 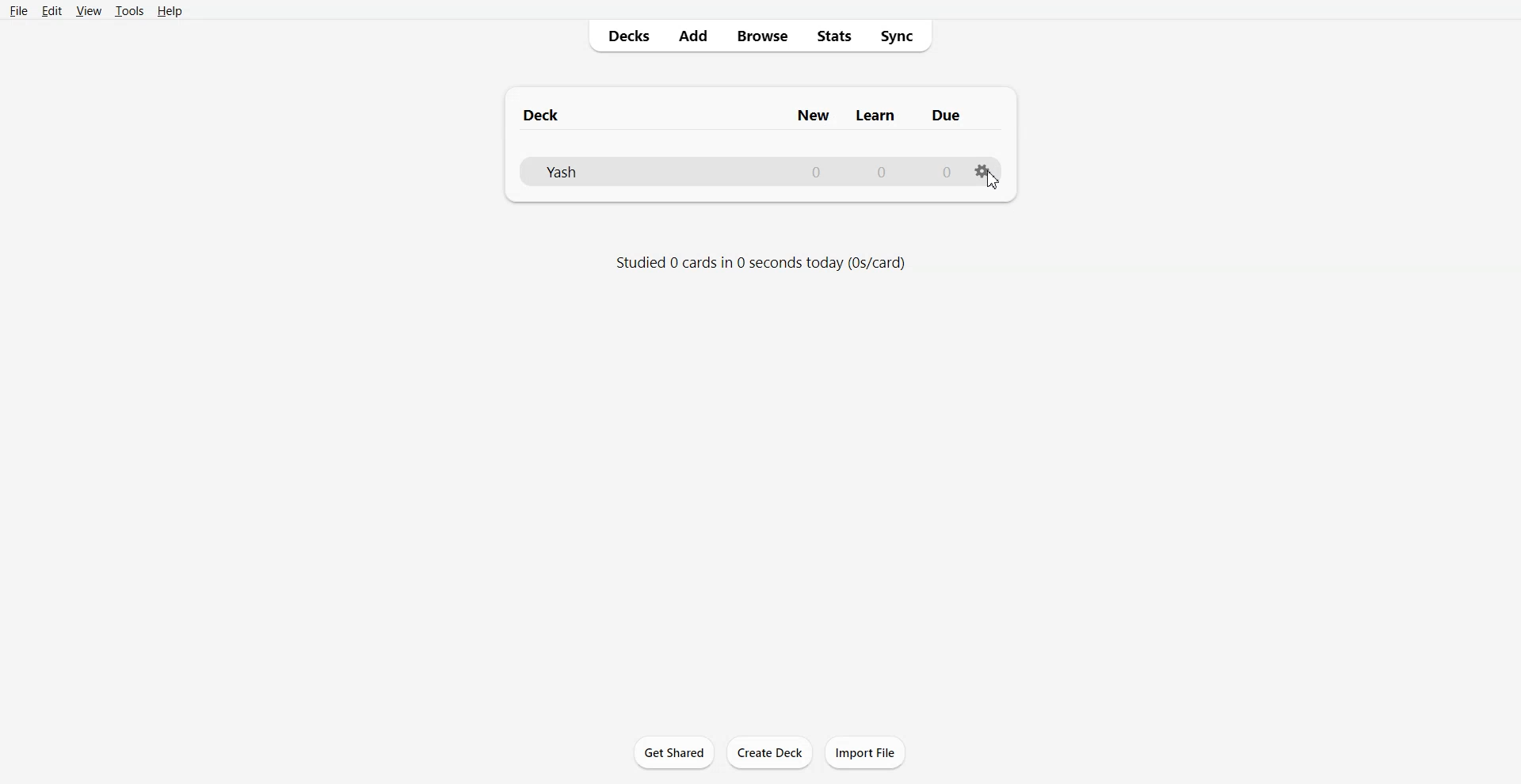 What do you see at coordinates (866, 752) in the screenshot?
I see `Import file` at bounding box center [866, 752].